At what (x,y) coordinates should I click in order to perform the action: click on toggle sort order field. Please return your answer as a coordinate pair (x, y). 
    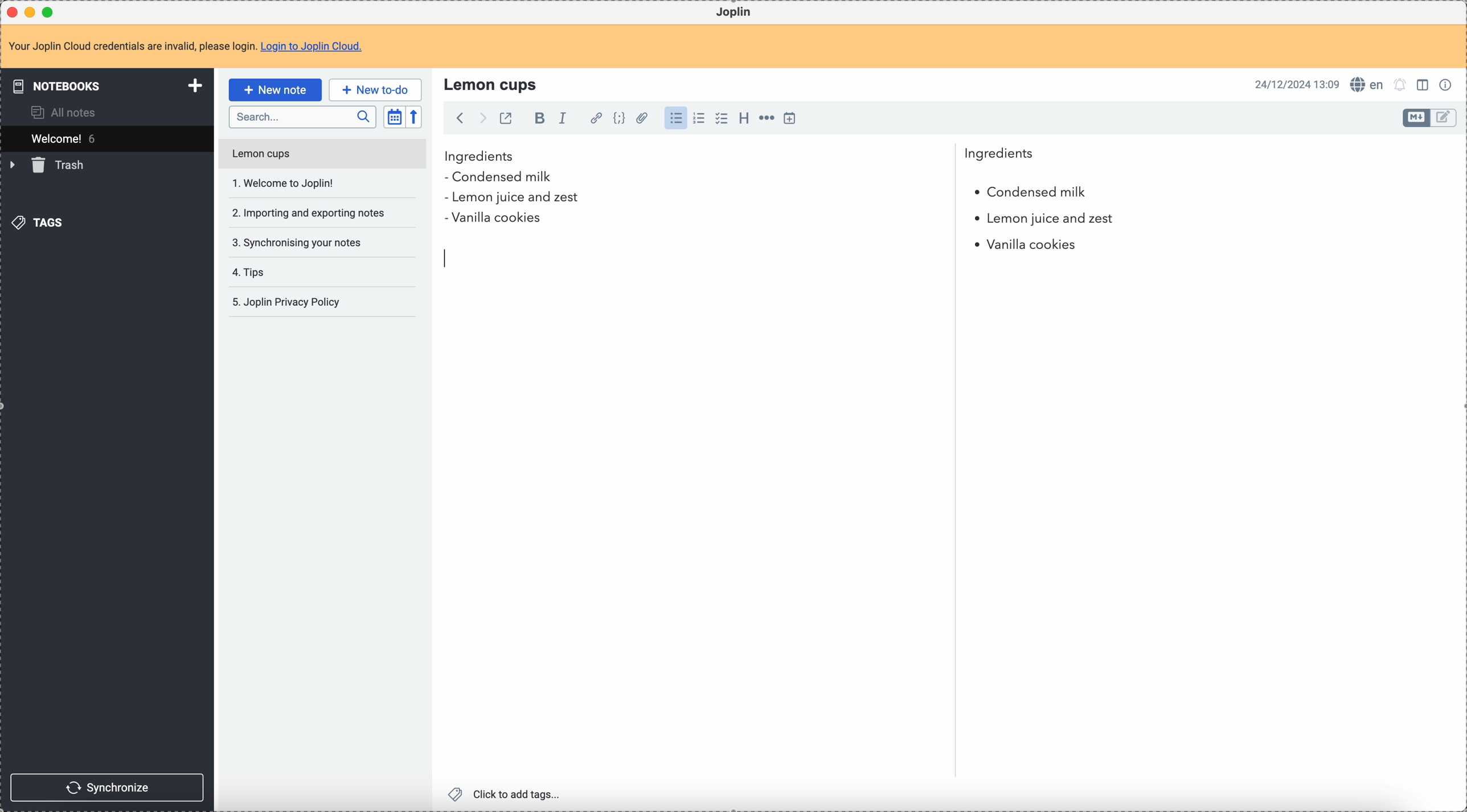
    Looking at the image, I should click on (394, 117).